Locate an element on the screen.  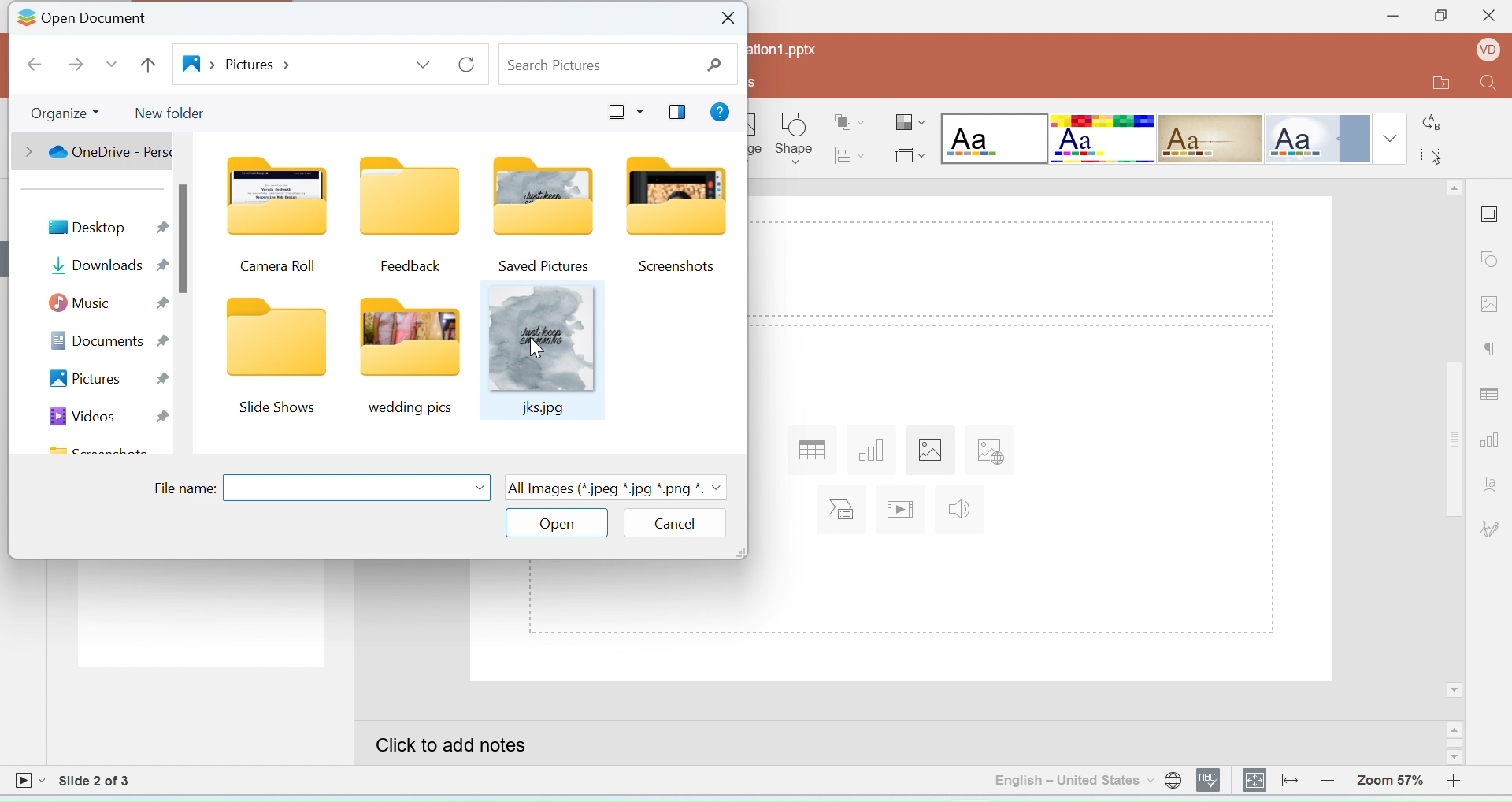
Blank is located at coordinates (994, 139).